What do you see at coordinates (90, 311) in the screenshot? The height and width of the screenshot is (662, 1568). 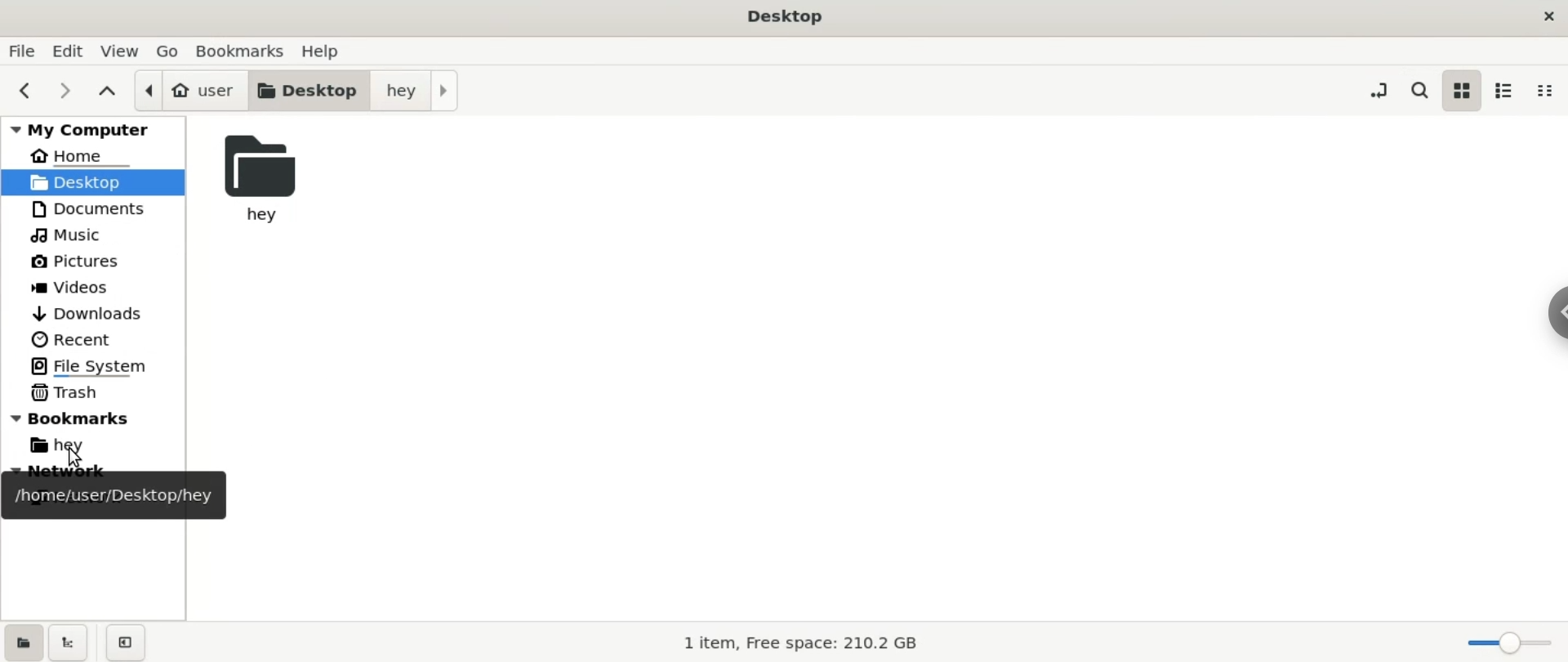 I see `downloads` at bounding box center [90, 311].